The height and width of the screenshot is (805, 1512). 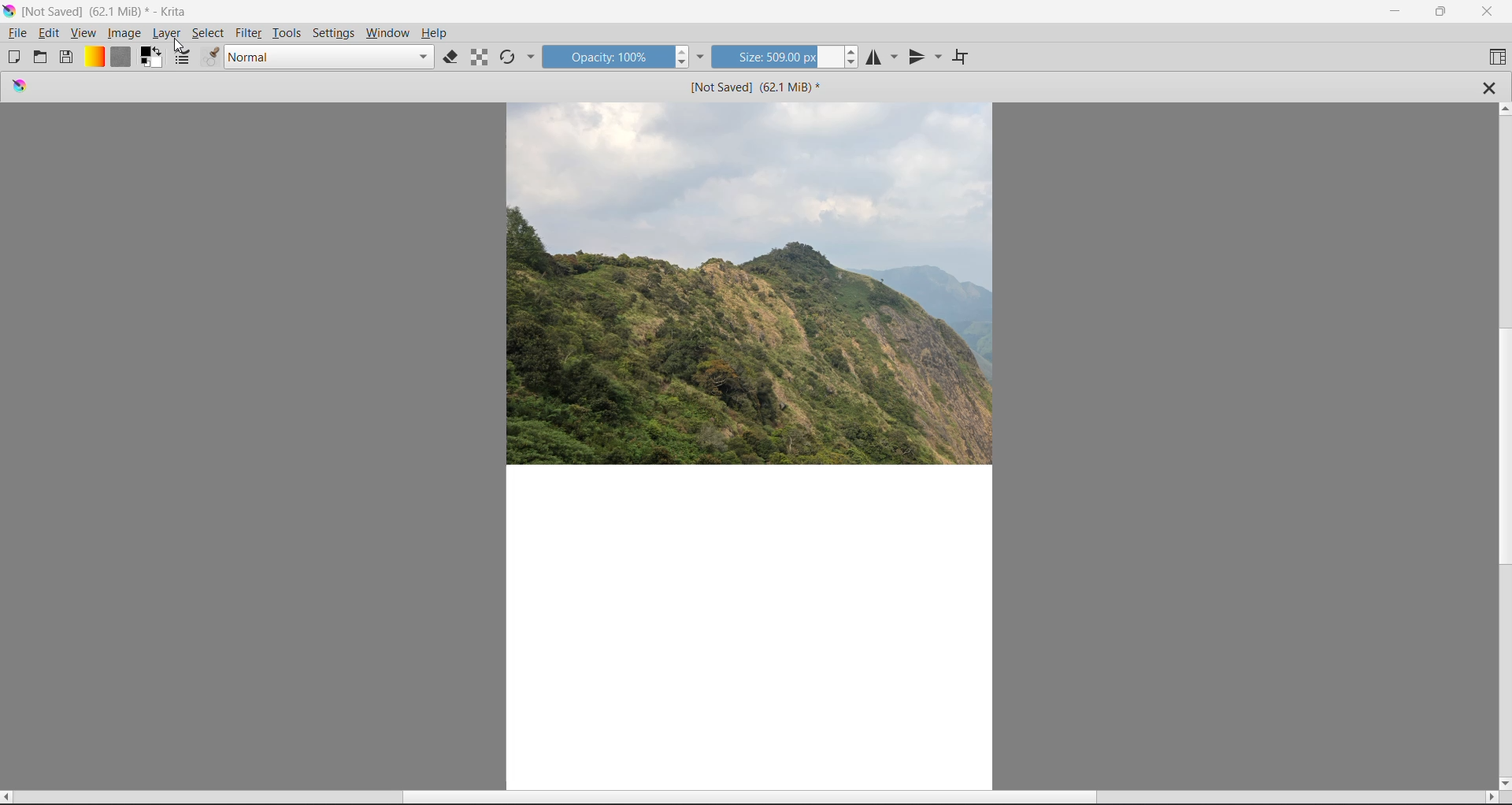 I want to click on File, so click(x=17, y=33).